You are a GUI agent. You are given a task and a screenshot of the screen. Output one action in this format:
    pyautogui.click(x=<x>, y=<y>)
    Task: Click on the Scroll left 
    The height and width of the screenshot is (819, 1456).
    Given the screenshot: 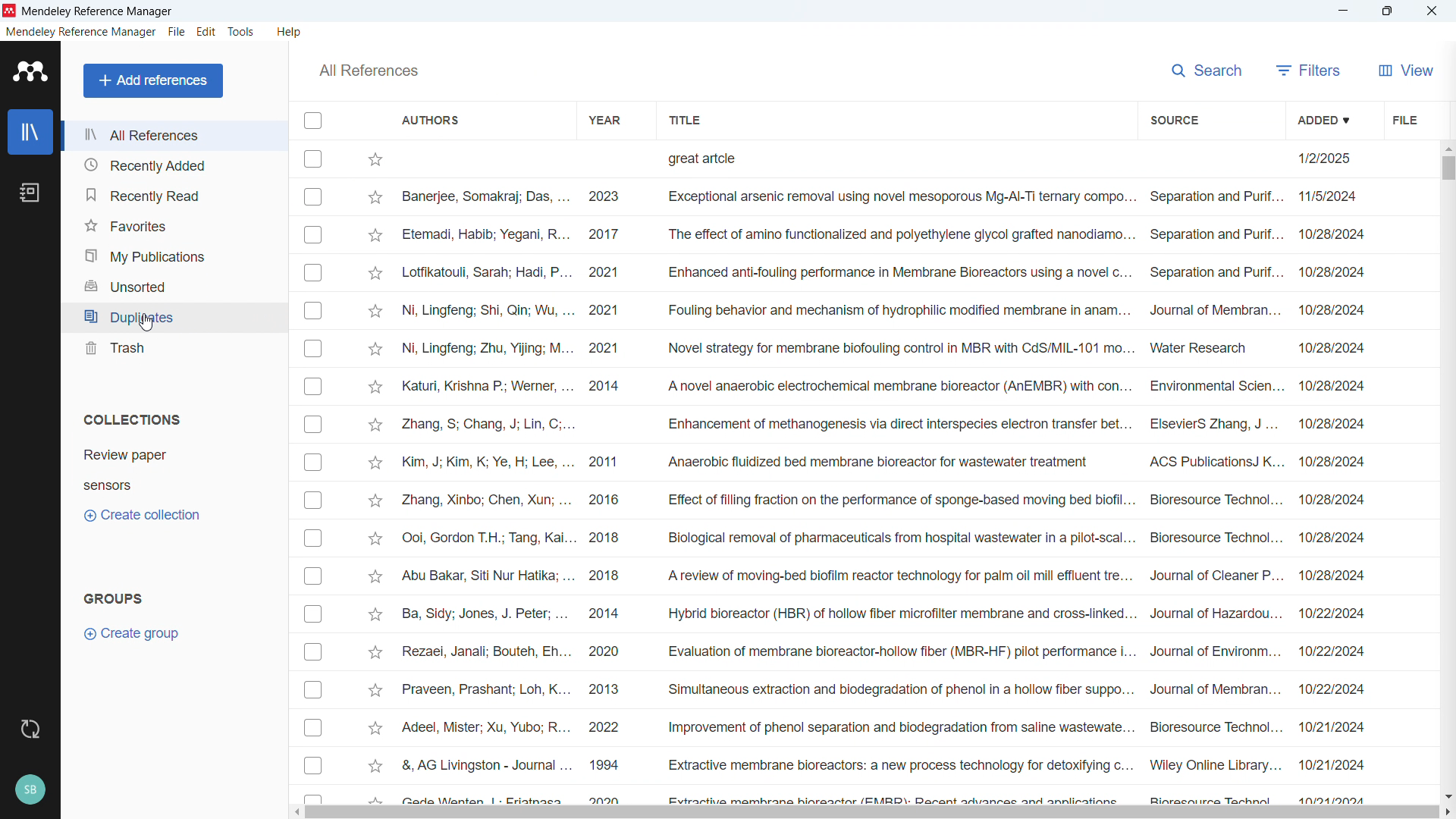 What is the action you would take?
    pyautogui.click(x=1447, y=813)
    